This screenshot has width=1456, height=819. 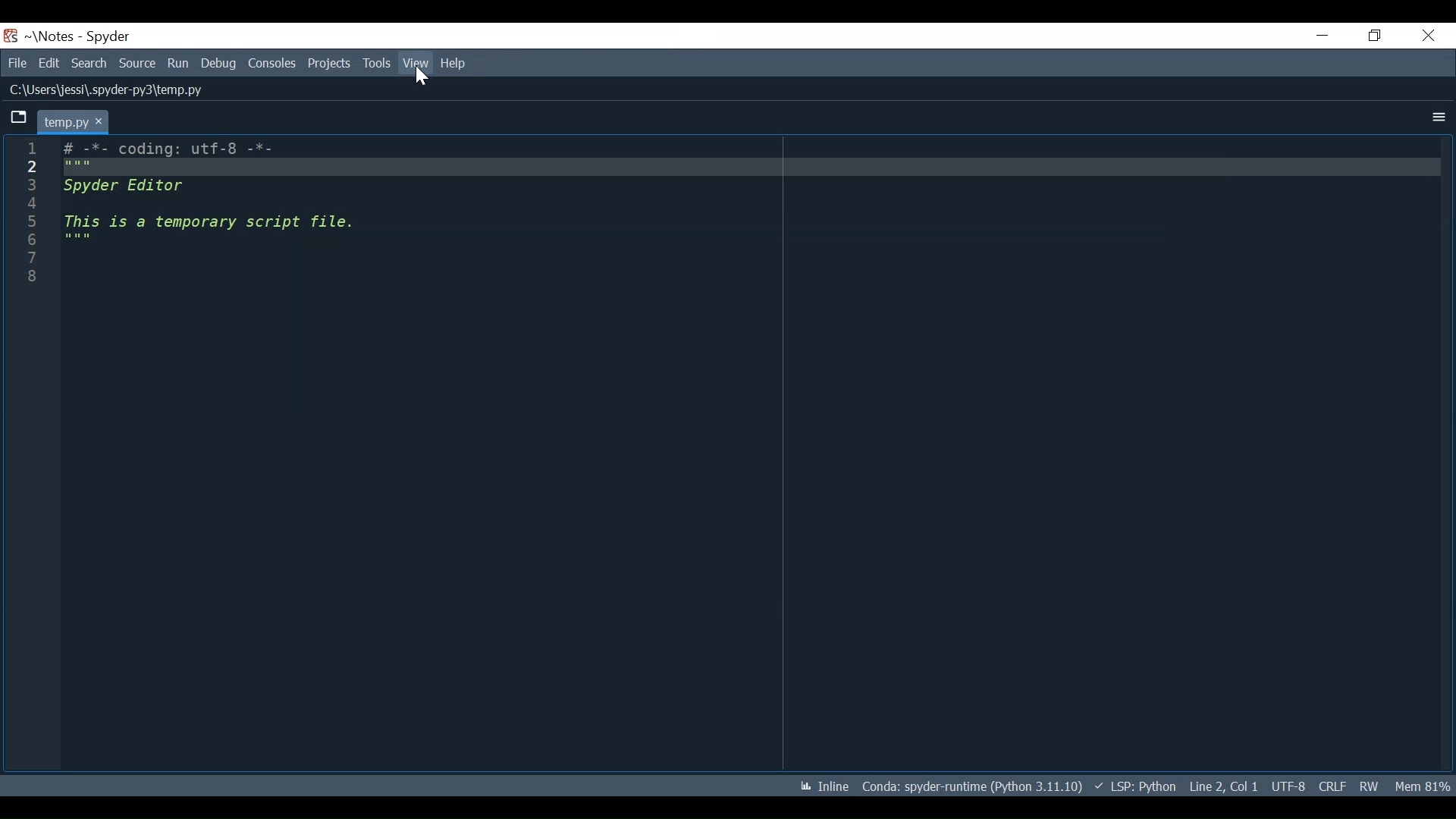 What do you see at coordinates (824, 786) in the screenshot?
I see `Inline` at bounding box center [824, 786].